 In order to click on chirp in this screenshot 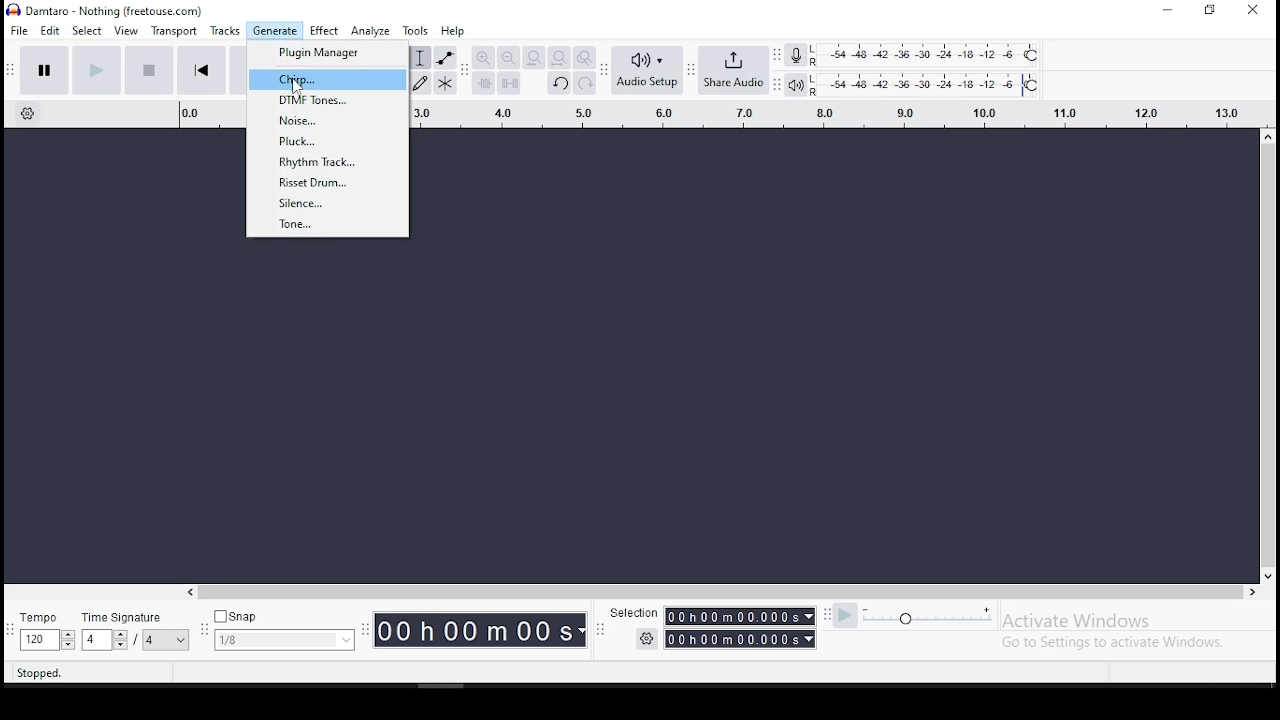, I will do `click(328, 78)`.